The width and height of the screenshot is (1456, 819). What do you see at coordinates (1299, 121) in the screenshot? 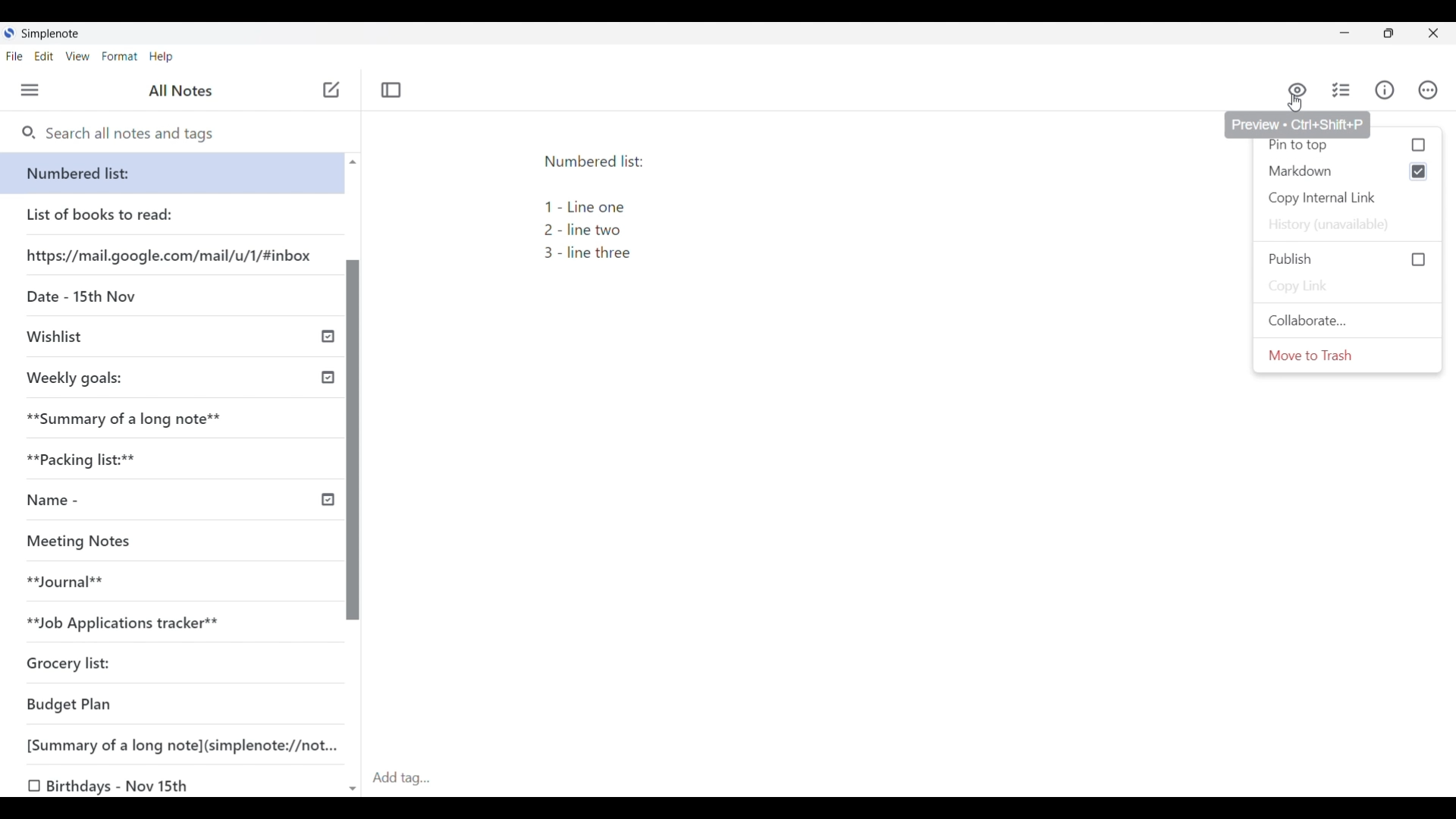
I see ` Preview « Ctrl+Shift+P |` at bounding box center [1299, 121].